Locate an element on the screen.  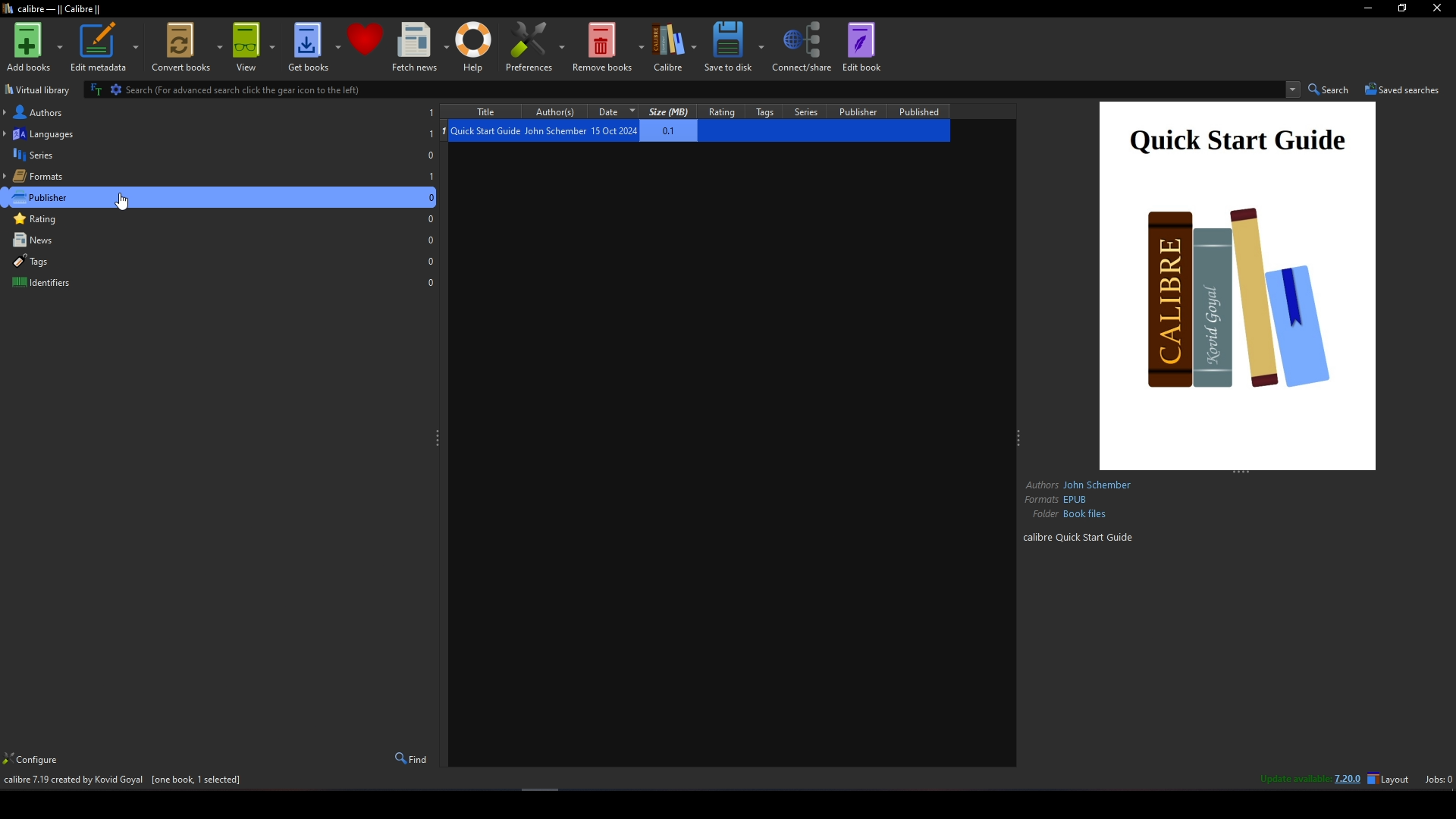
Publisher is located at coordinates (221, 196).